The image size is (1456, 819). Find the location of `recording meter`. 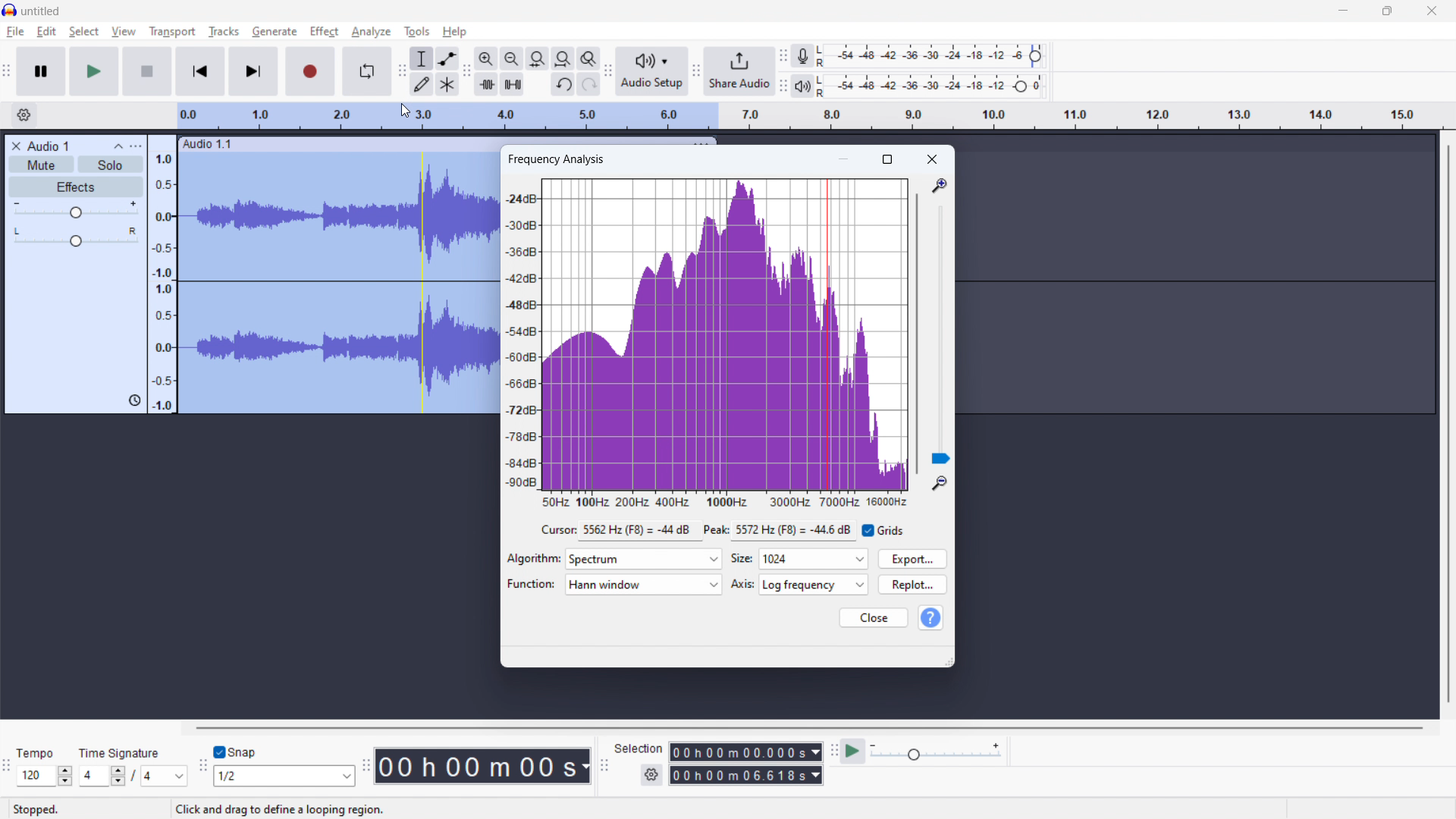

recording meter is located at coordinates (803, 55).